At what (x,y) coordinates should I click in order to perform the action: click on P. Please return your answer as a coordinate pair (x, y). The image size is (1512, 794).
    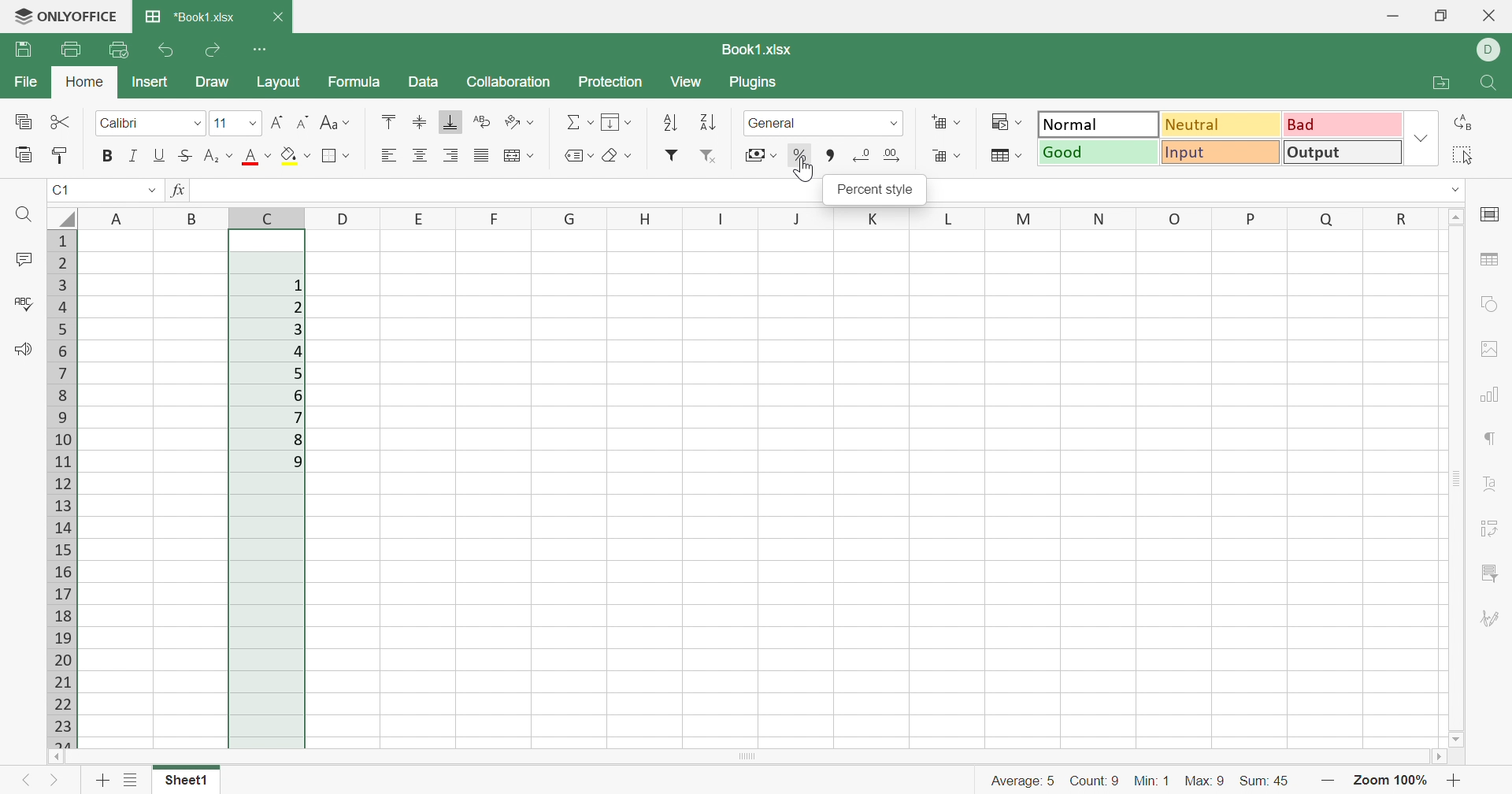
    Looking at the image, I should click on (1249, 220).